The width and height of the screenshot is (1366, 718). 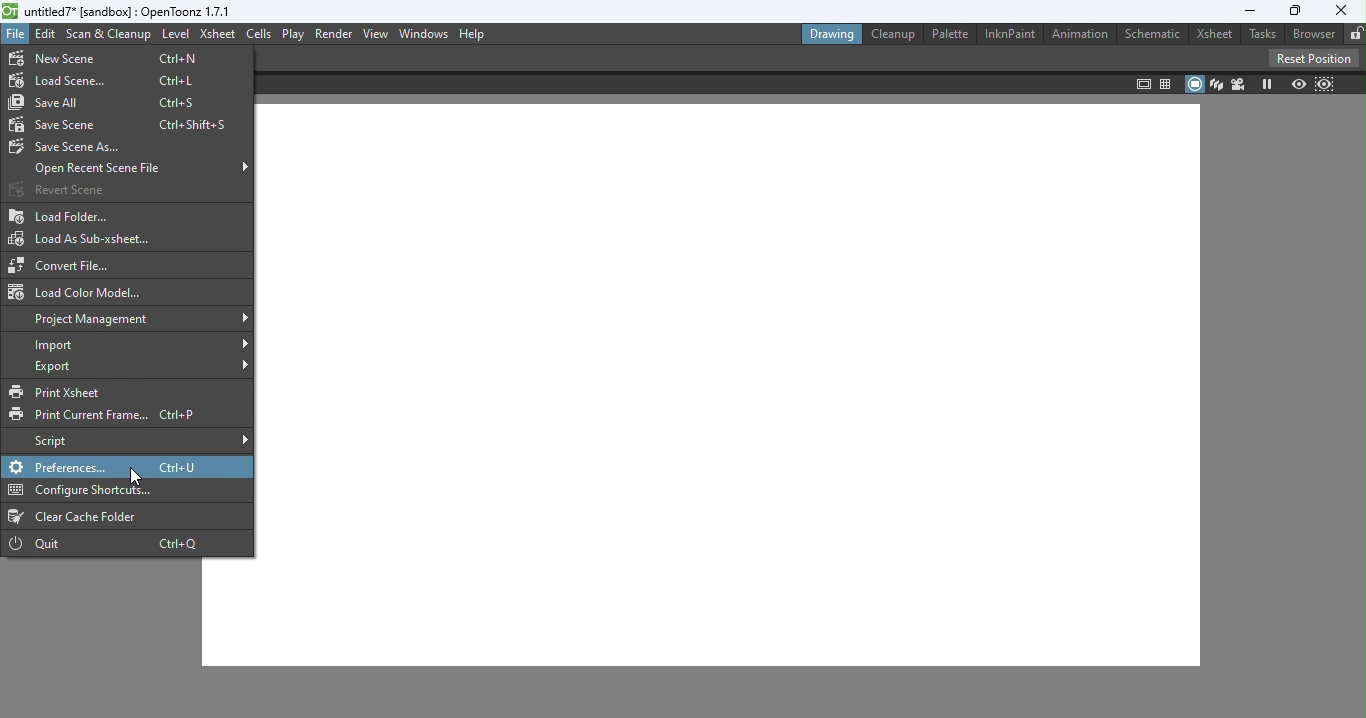 I want to click on cursor, so click(x=141, y=477).